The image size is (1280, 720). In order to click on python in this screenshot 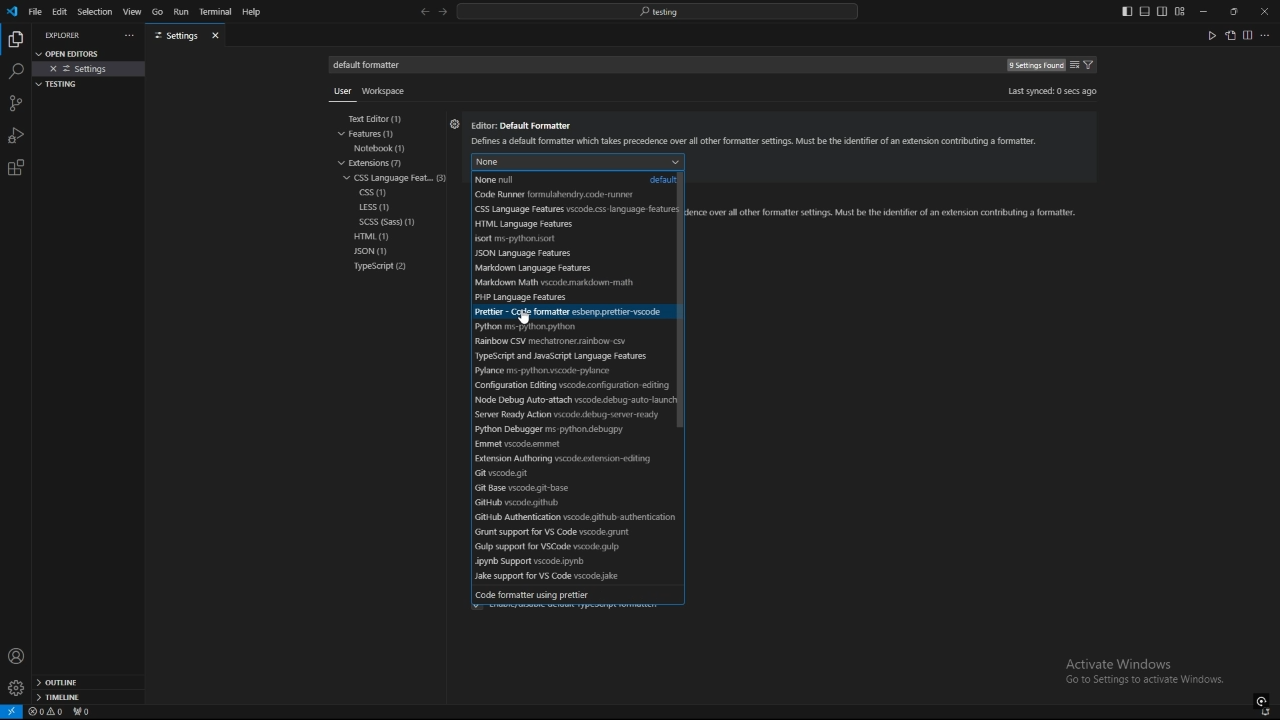, I will do `click(543, 326)`.